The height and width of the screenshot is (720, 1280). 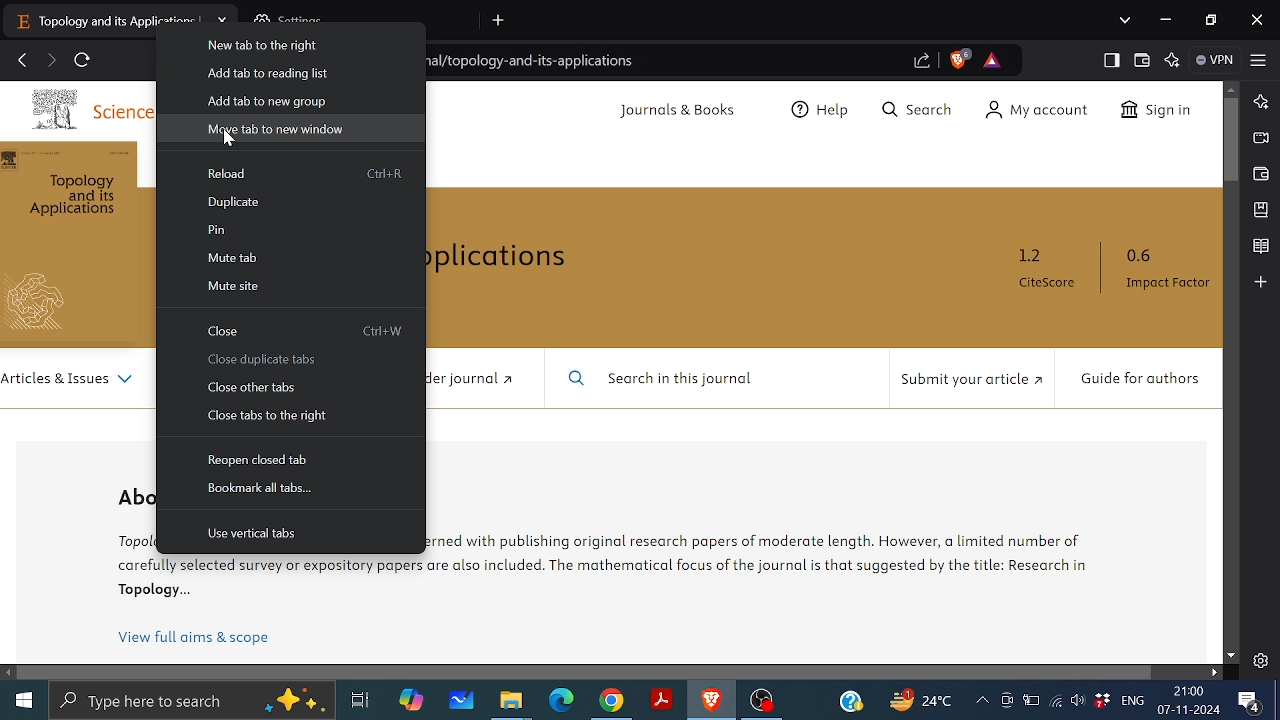 I want to click on Files, so click(x=511, y=703).